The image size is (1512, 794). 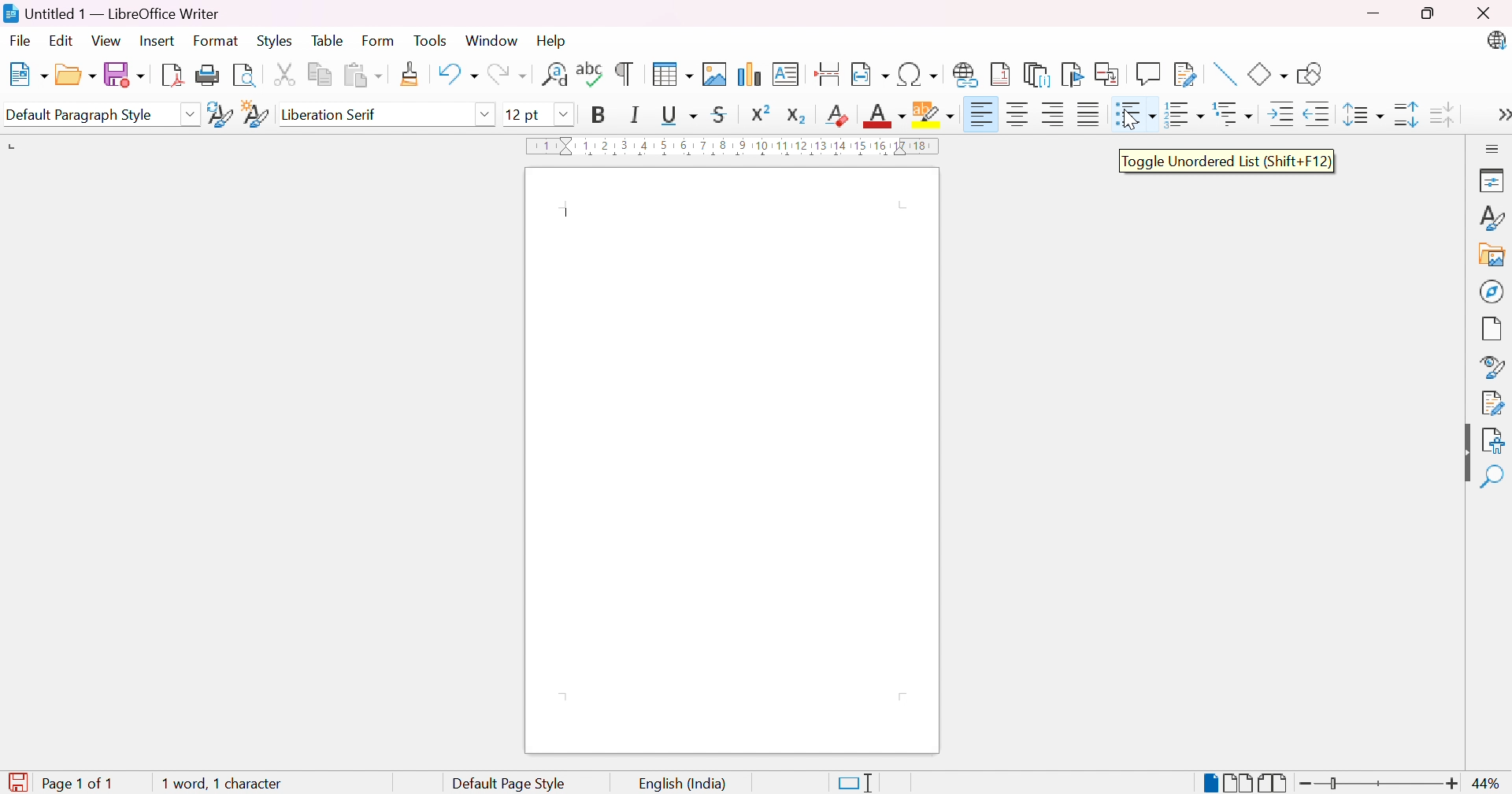 I want to click on View, so click(x=106, y=43).